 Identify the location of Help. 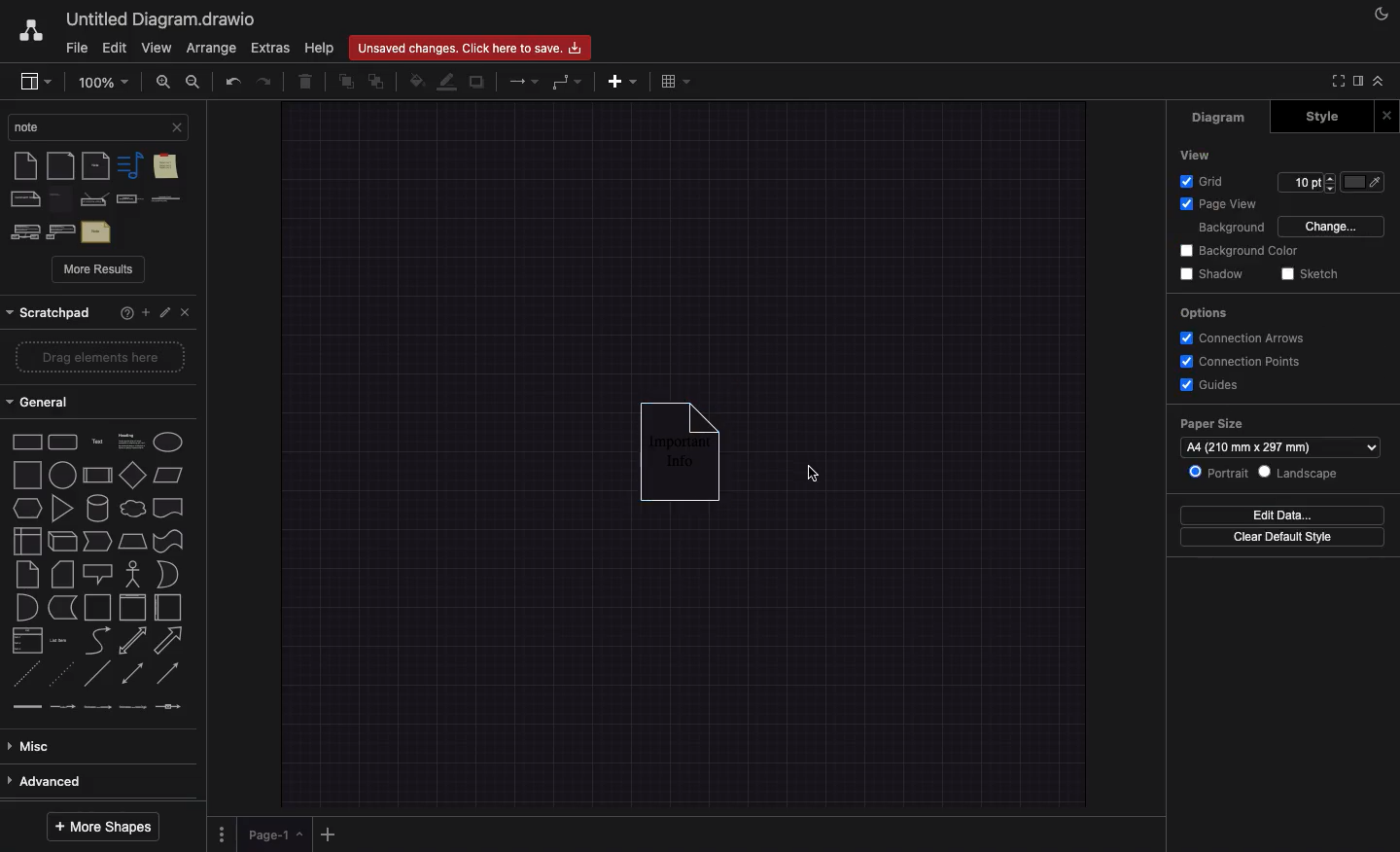
(321, 47).